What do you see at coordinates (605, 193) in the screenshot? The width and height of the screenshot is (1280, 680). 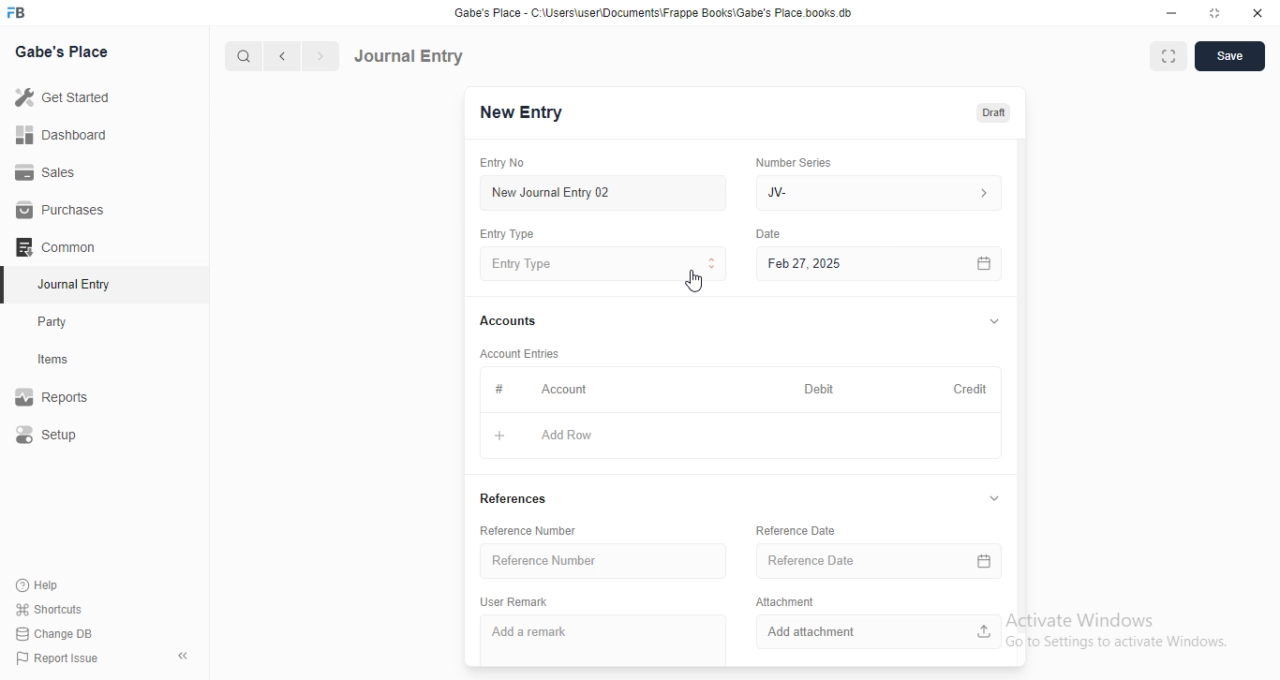 I see `New Journal Entry 02` at bounding box center [605, 193].